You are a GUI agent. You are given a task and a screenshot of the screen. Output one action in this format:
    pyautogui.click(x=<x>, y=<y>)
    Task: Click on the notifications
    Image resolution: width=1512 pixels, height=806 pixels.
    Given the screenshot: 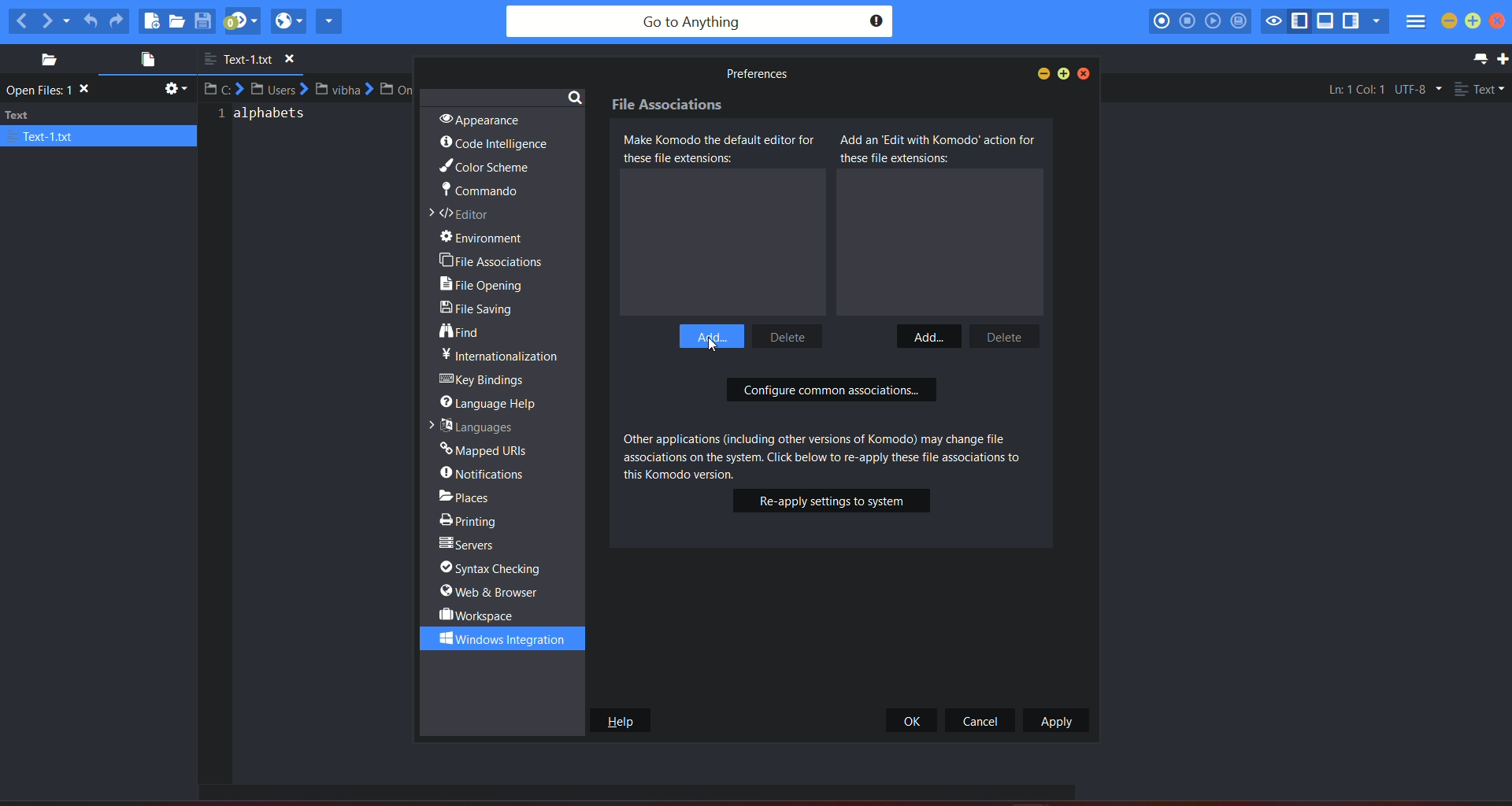 What is the action you would take?
    pyautogui.click(x=485, y=473)
    